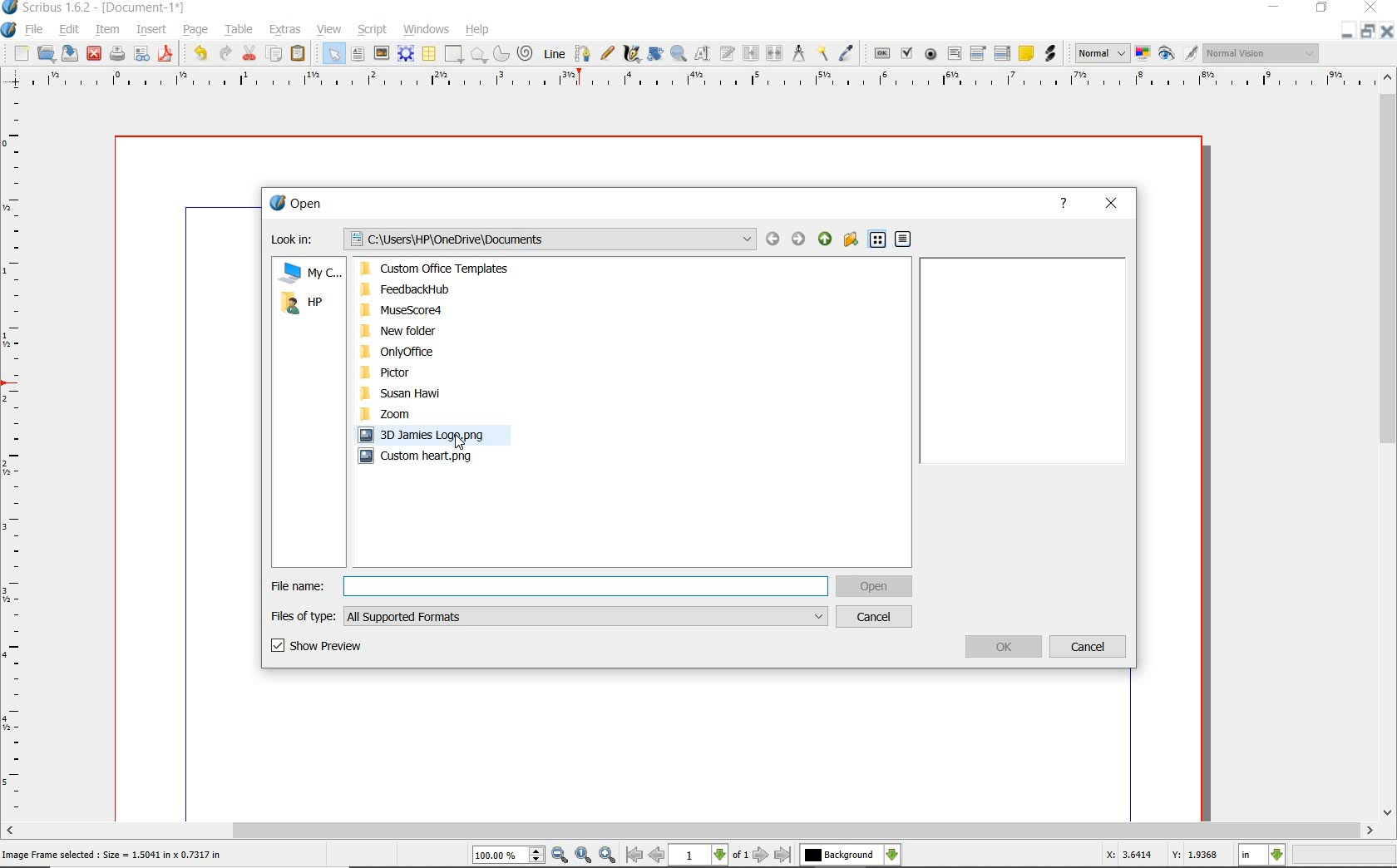  Describe the element at coordinates (428, 444) in the screenshot. I see `pc image files` at that location.